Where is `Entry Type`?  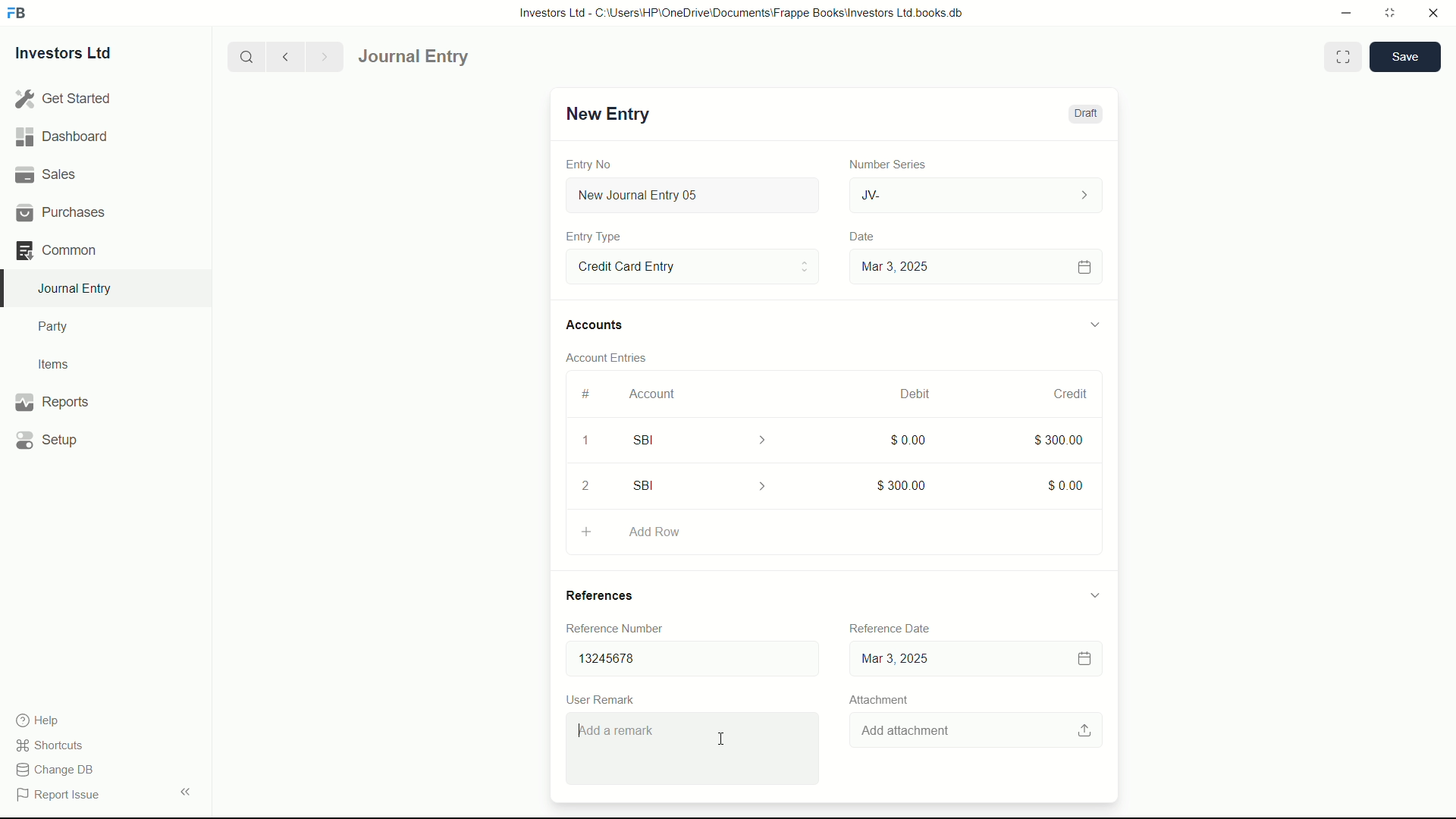 Entry Type is located at coordinates (594, 237).